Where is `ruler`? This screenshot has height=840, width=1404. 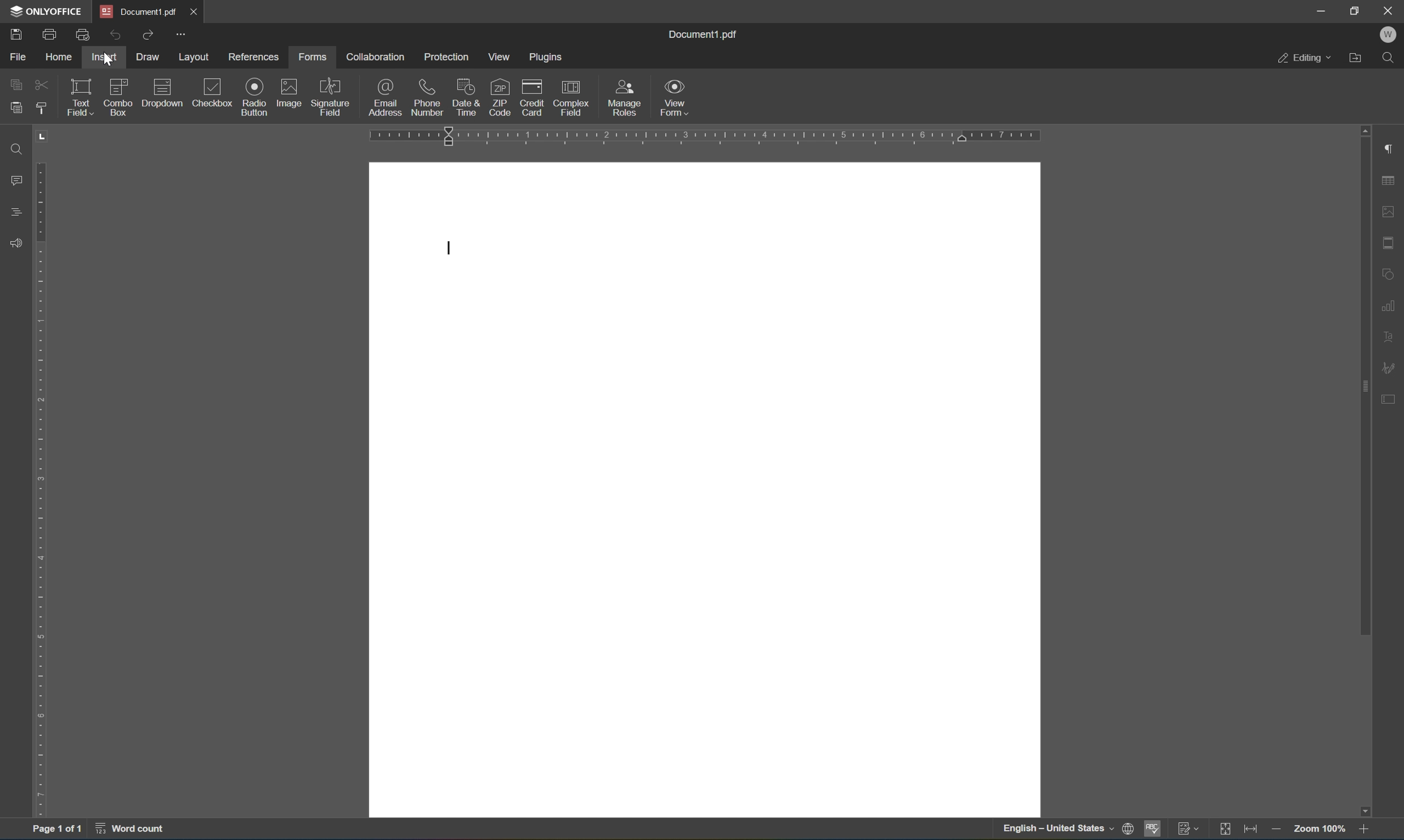 ruler is located at coordinates (41, 470).